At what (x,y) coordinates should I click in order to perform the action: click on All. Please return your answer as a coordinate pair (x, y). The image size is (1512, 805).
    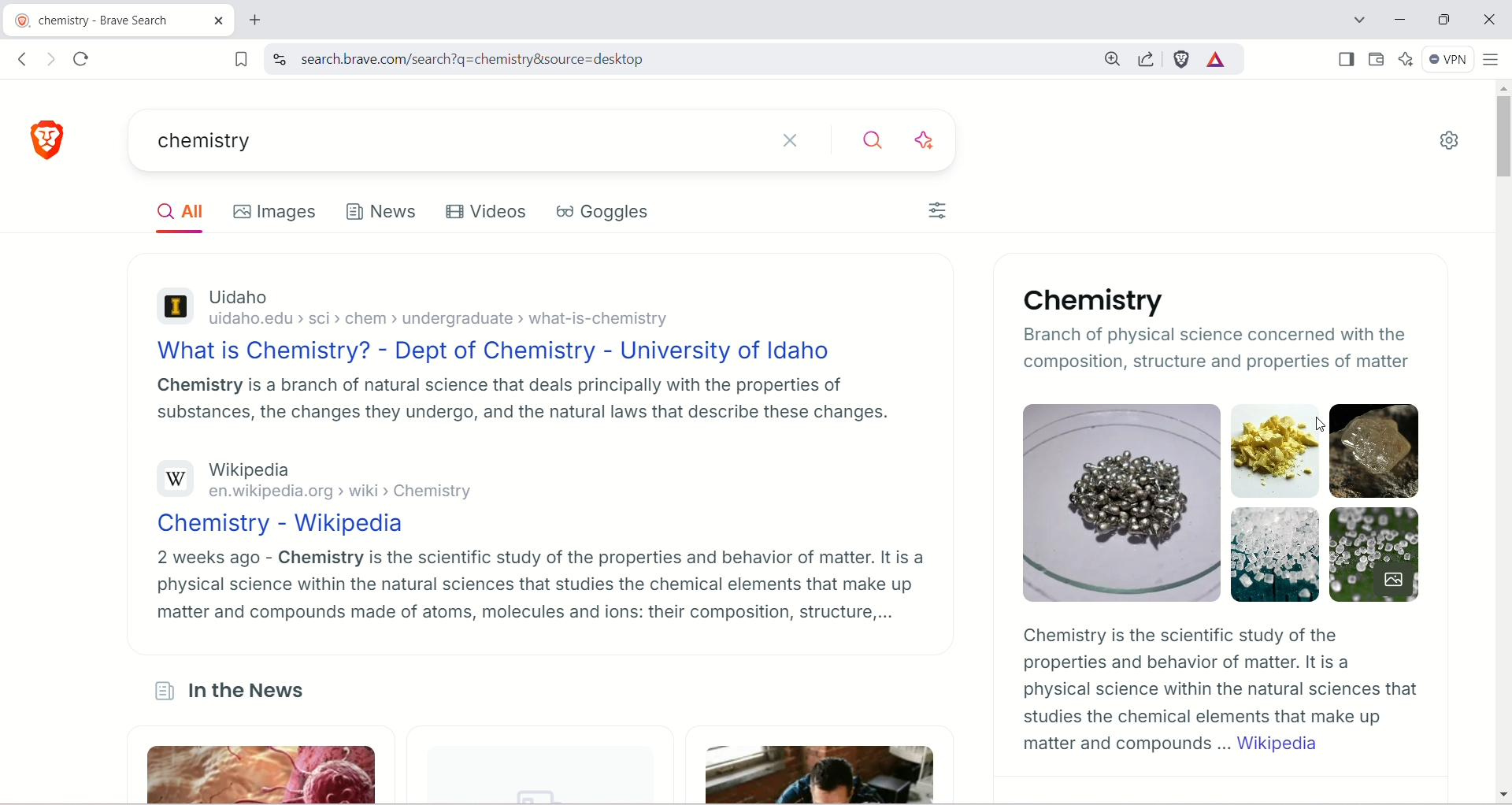
    Looking at the image, I should click on (175, 210).